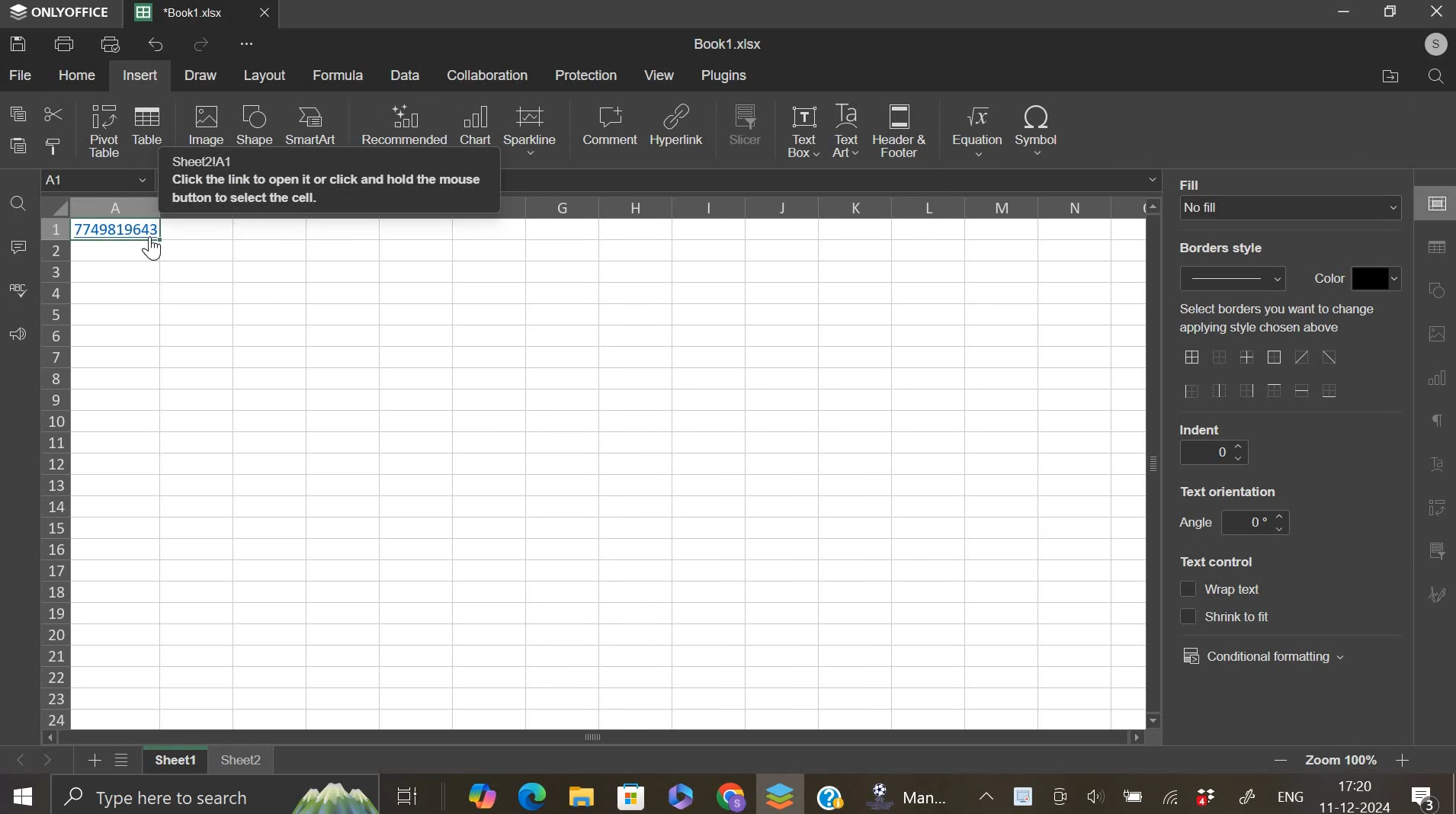 The height and width of the screenshot is (814, 1456). Describe the element at coordinates (1226, 603) in the screenshot. I see `text control` at that location.